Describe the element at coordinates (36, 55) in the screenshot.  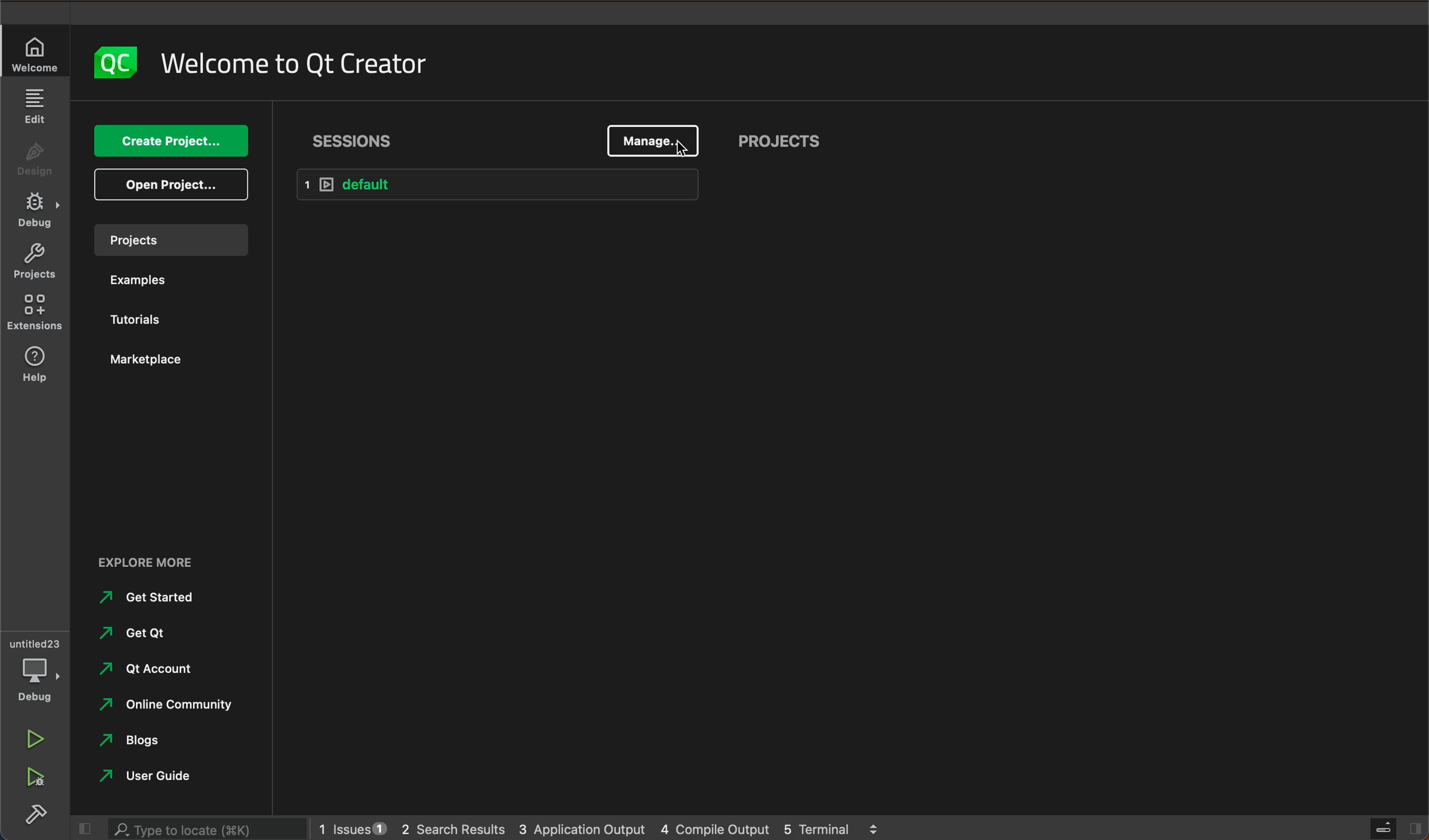
I see `welcome` at that location.